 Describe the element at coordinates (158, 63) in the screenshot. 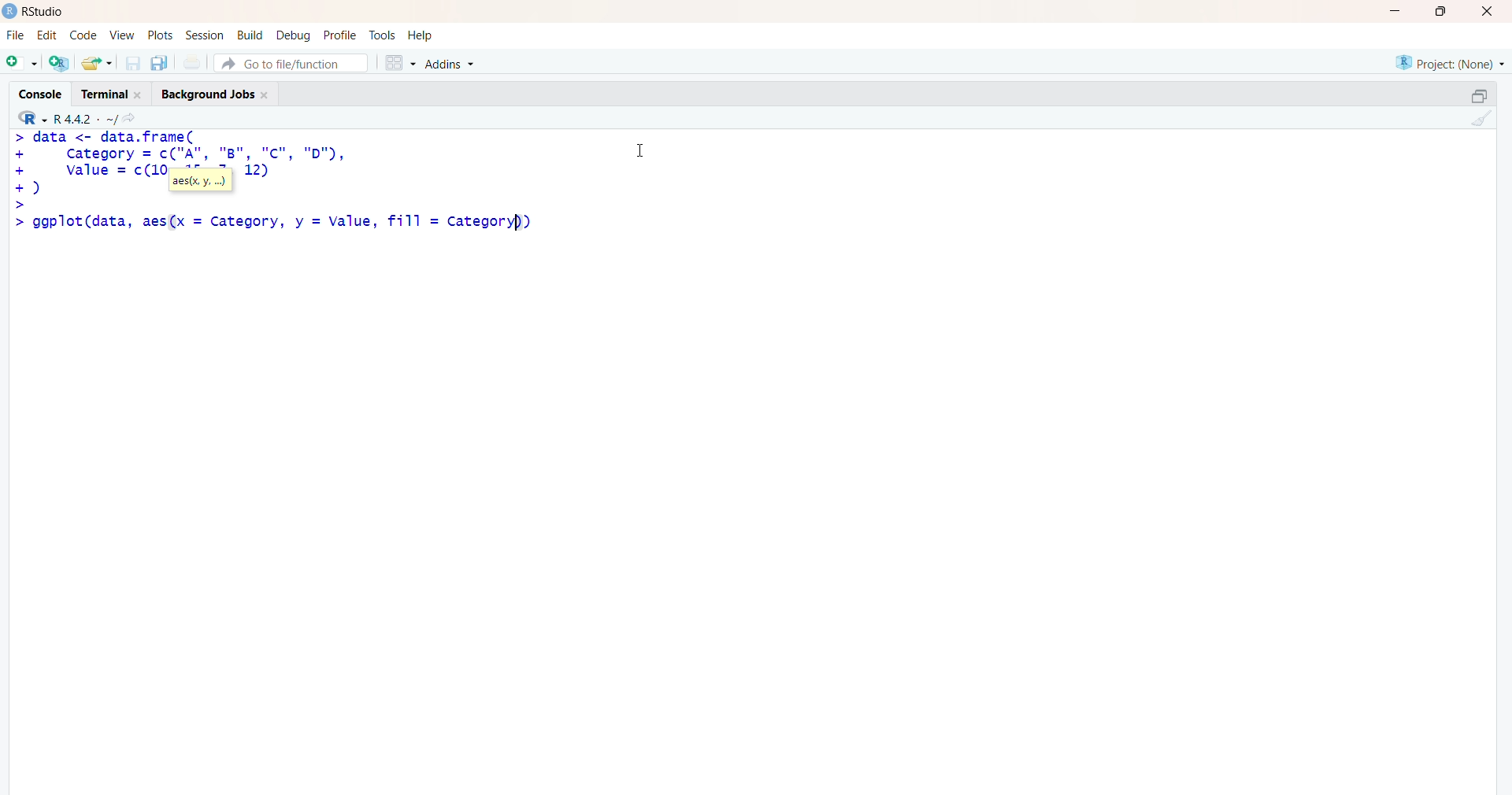

I see `save all open documents` at that location.